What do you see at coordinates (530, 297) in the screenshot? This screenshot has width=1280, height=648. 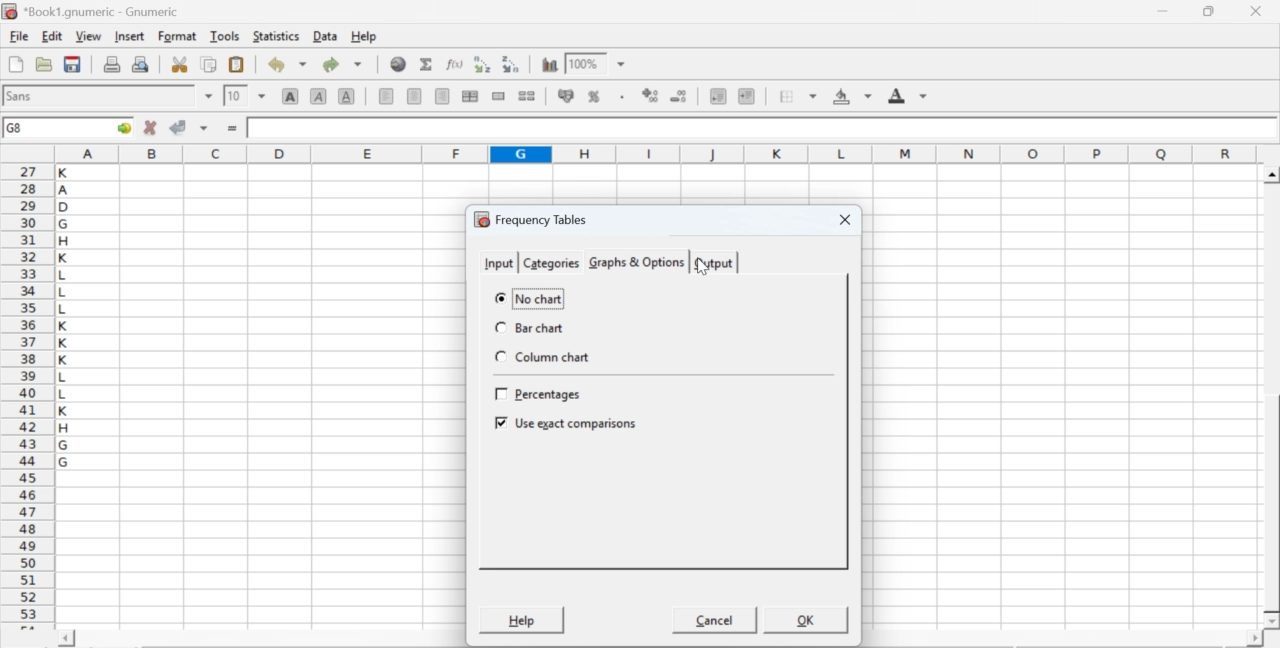 I see `no chart` at bounding box center [530, 297].